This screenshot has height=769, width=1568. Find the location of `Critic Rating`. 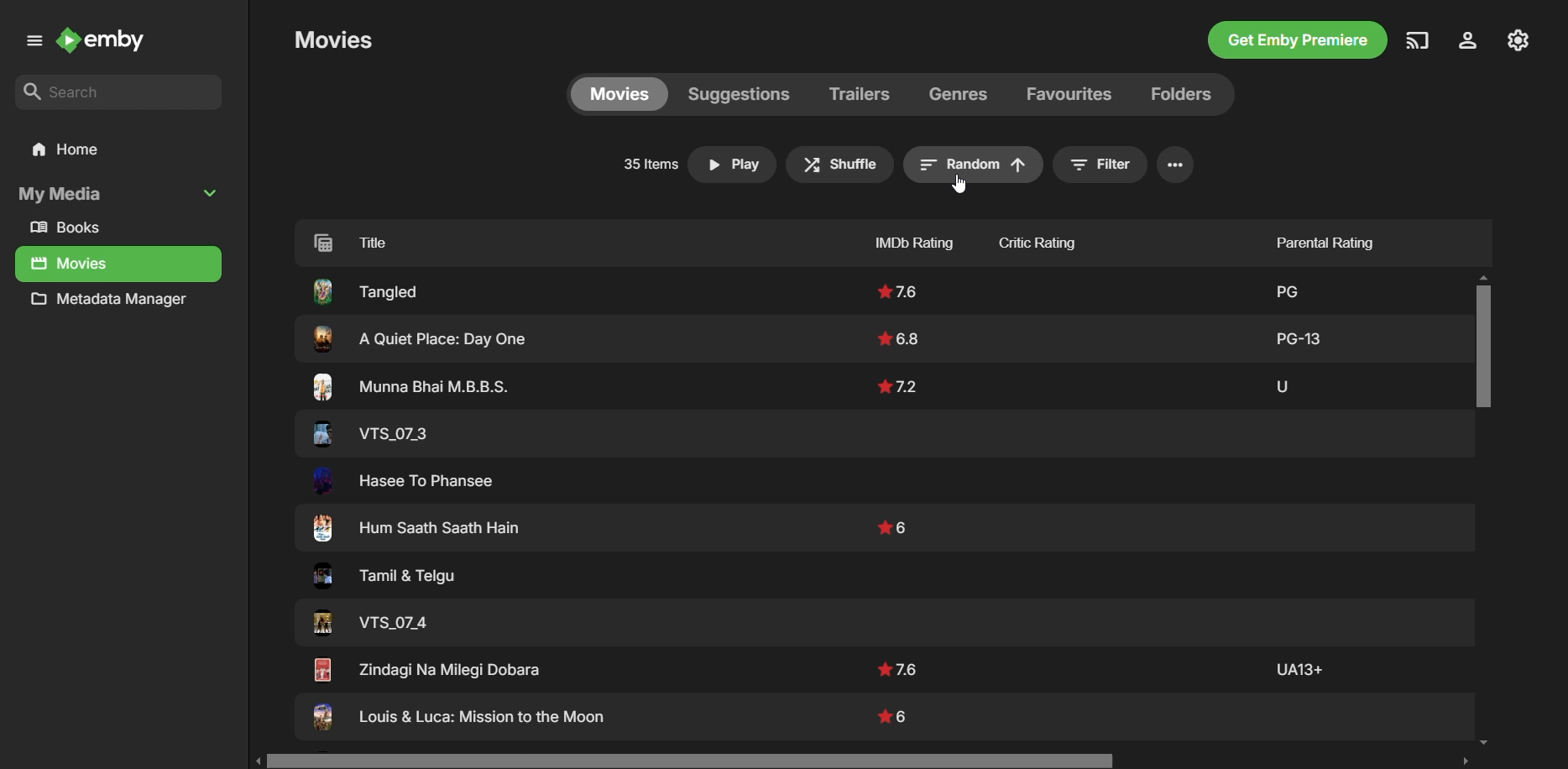

Critic Rating is located at coordinates (1068, 239).